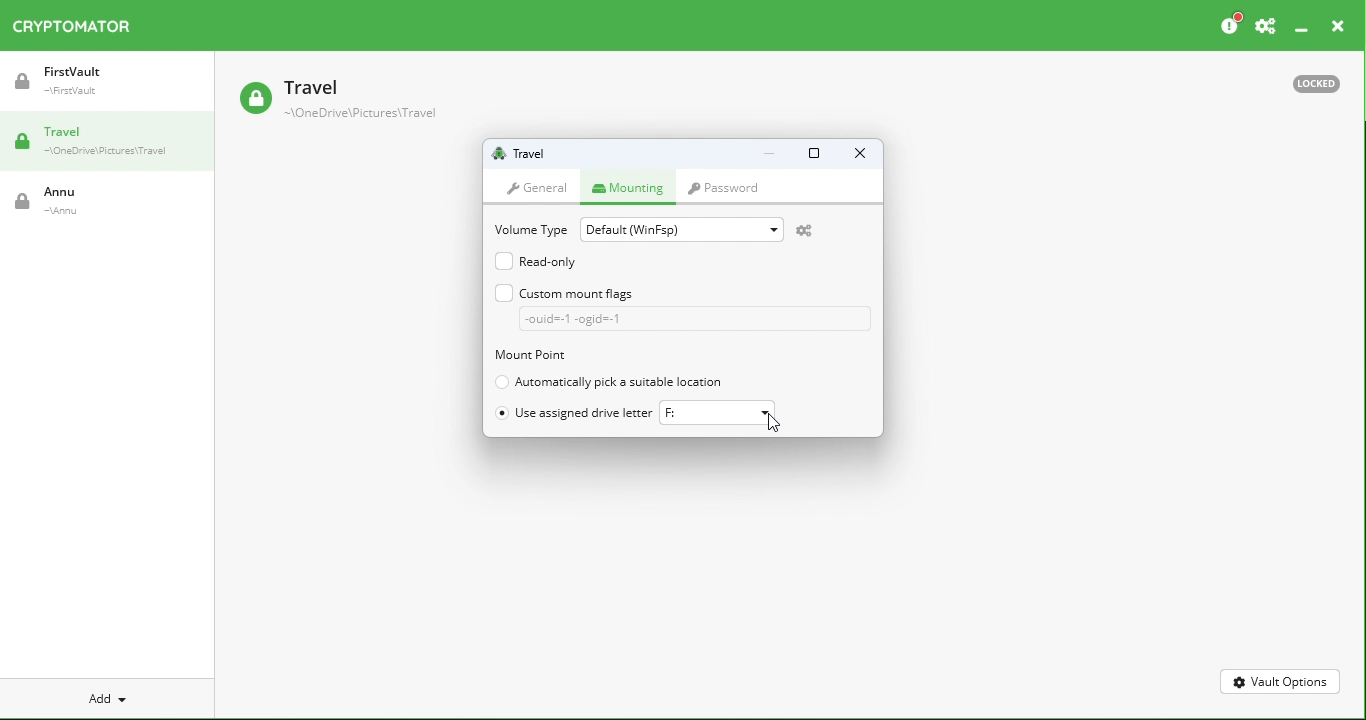 The image size is (1366, 720). I want to click on Locked, so click(1322, 83).